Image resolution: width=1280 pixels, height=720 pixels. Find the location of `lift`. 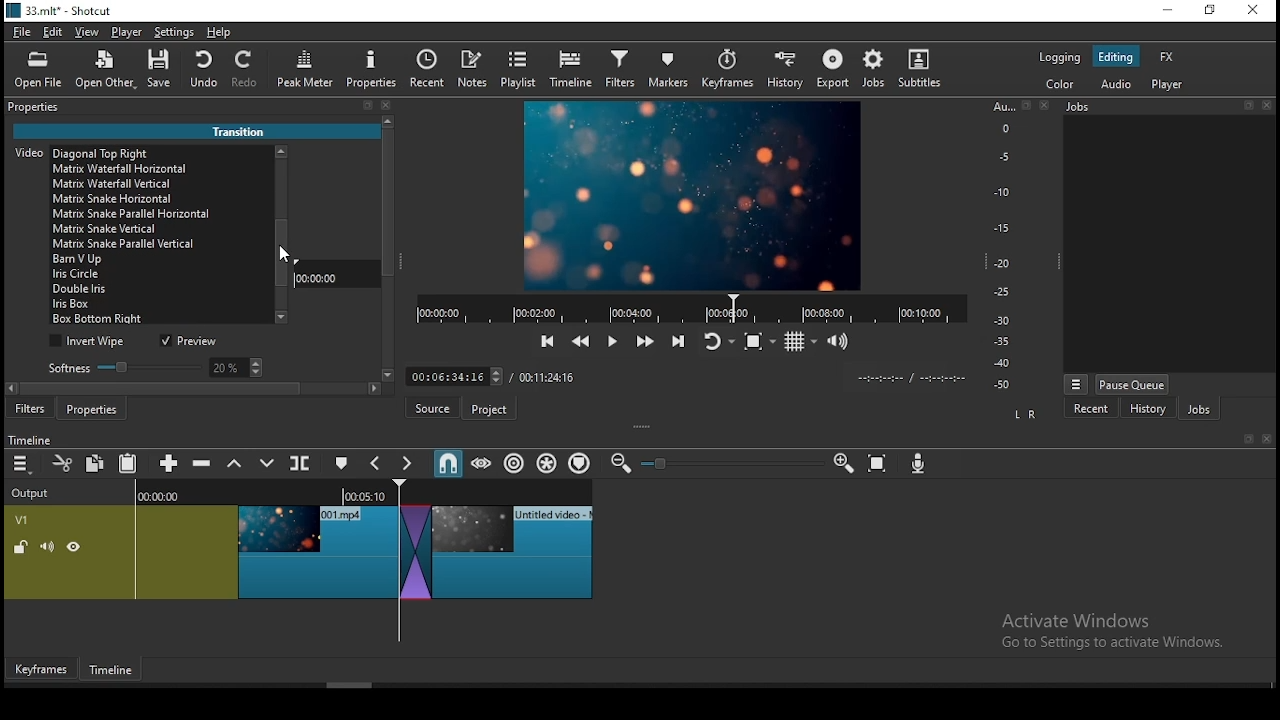

lift is located at coordinates (235, 464).